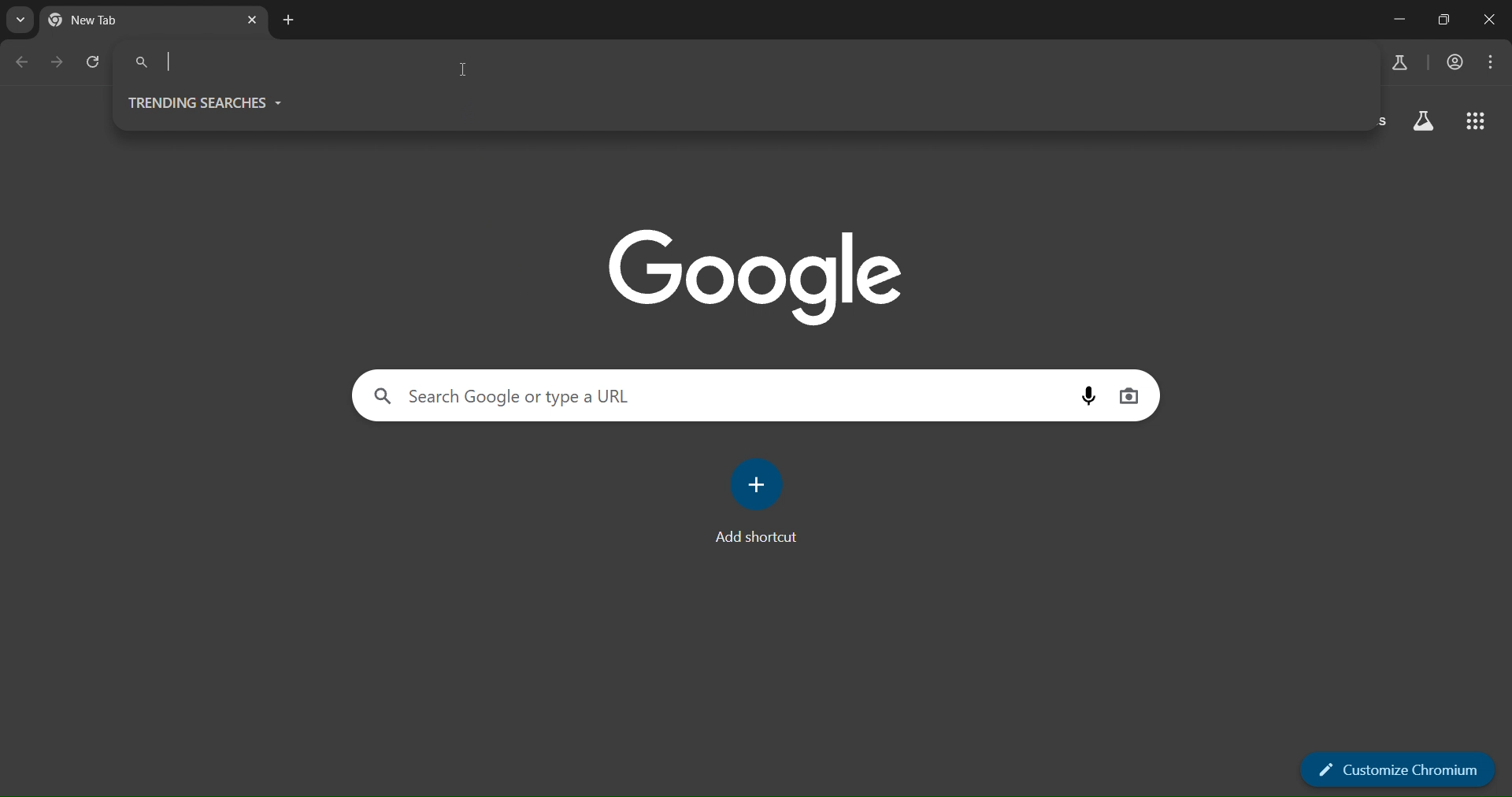 The width and height of the screenshot is (1512, 797). Describe the element at coordinates (292, 20) in the screenshot. I see `new tab` at that location.